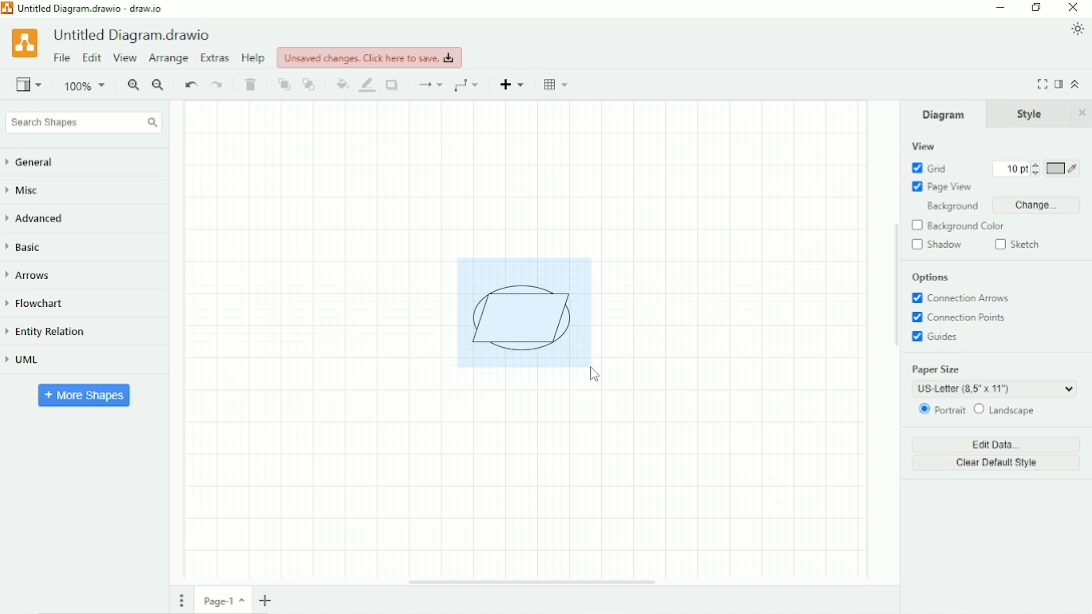 The width and height of the screenshot is (1092, 614). I want to click on Misc, so click(29, 192).